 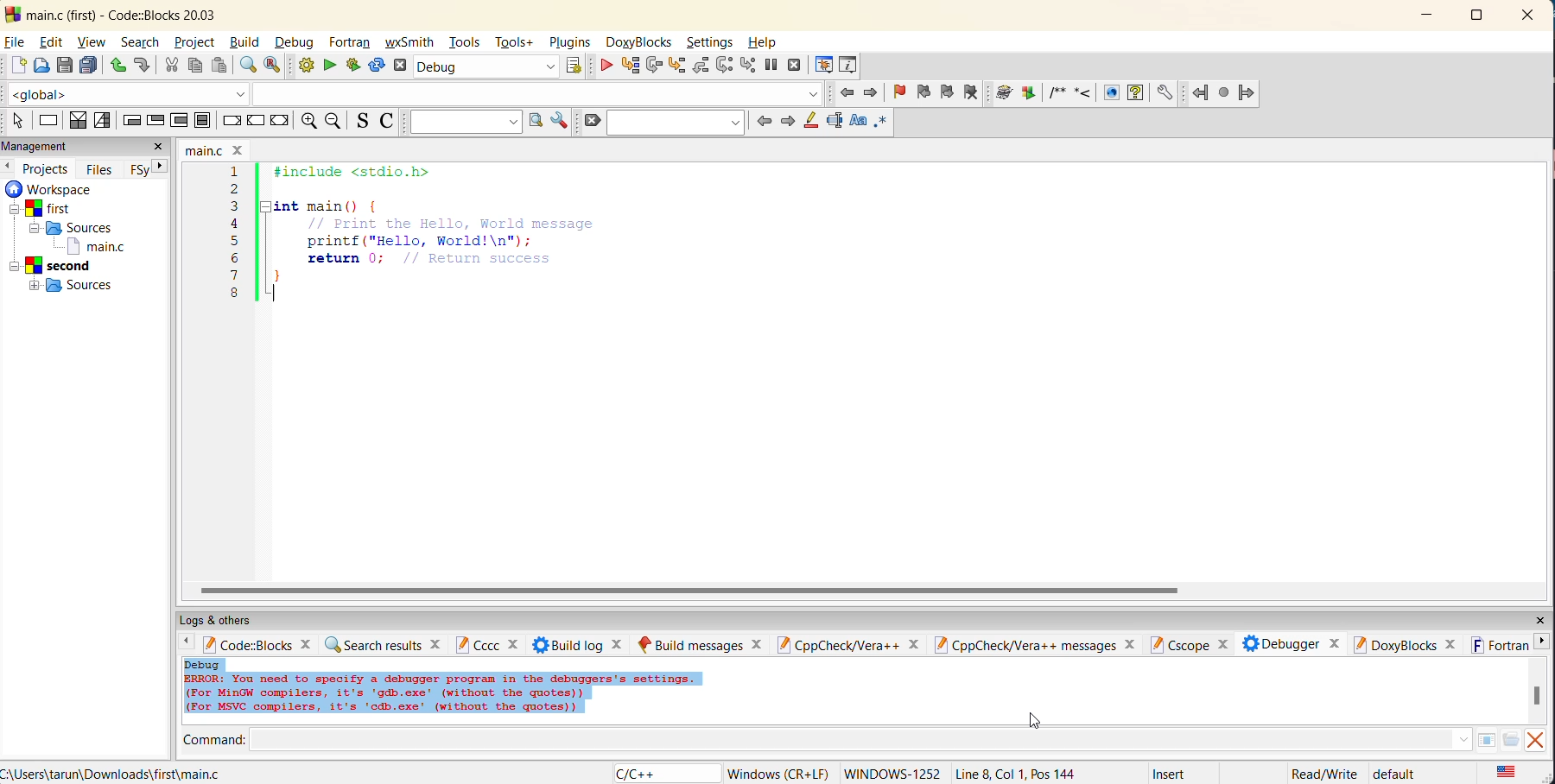 I want to click on save, so click(x=65, y=66).